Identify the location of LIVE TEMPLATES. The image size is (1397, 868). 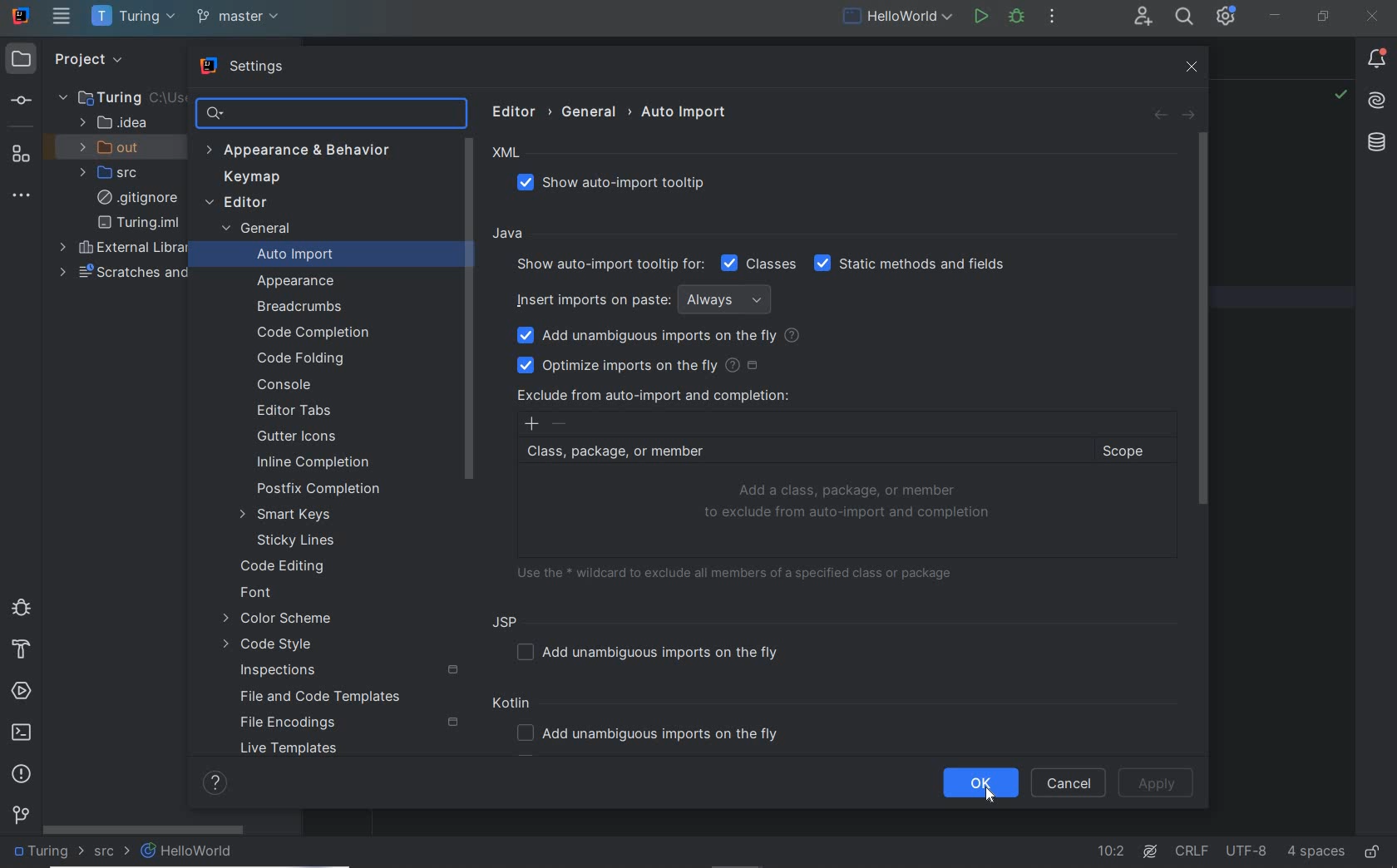
(295, 752).